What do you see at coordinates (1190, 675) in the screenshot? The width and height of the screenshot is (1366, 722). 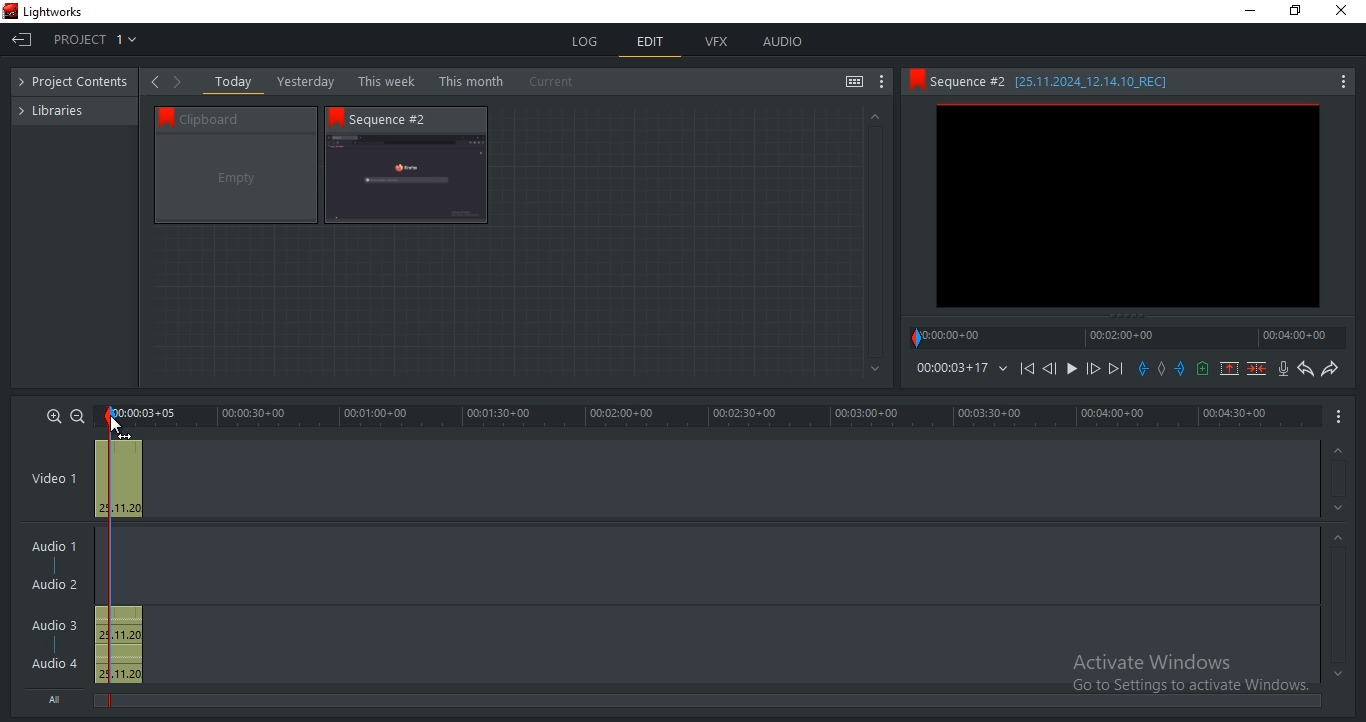 I see `Activate Windows
Go to Settings to activate Windows.` at bounding box center [1190, 675].